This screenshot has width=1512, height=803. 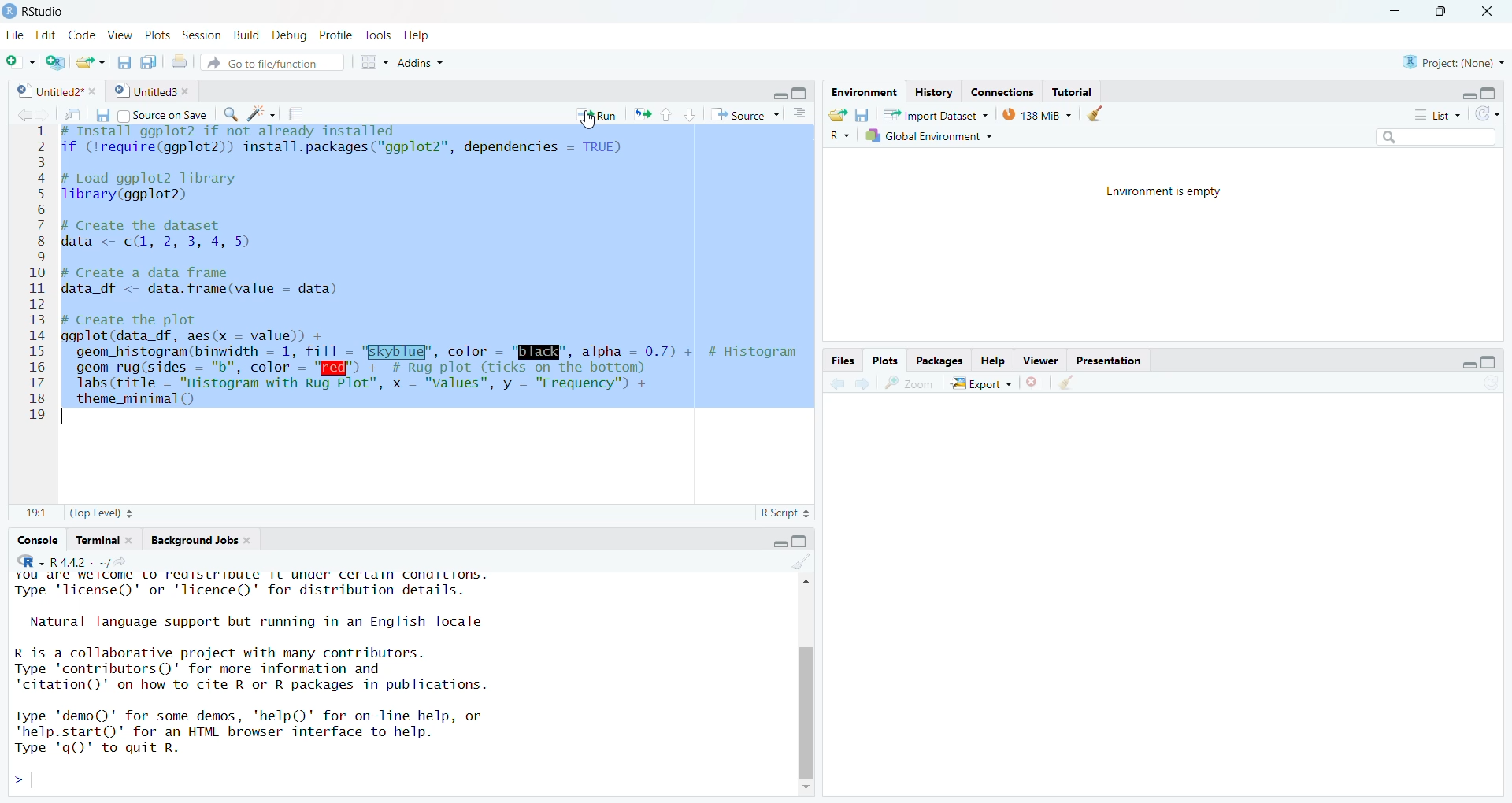 What do you see at coordinates (299, 114) in the screenshot?
I see `Compile report` at bounding box center [299, 114].